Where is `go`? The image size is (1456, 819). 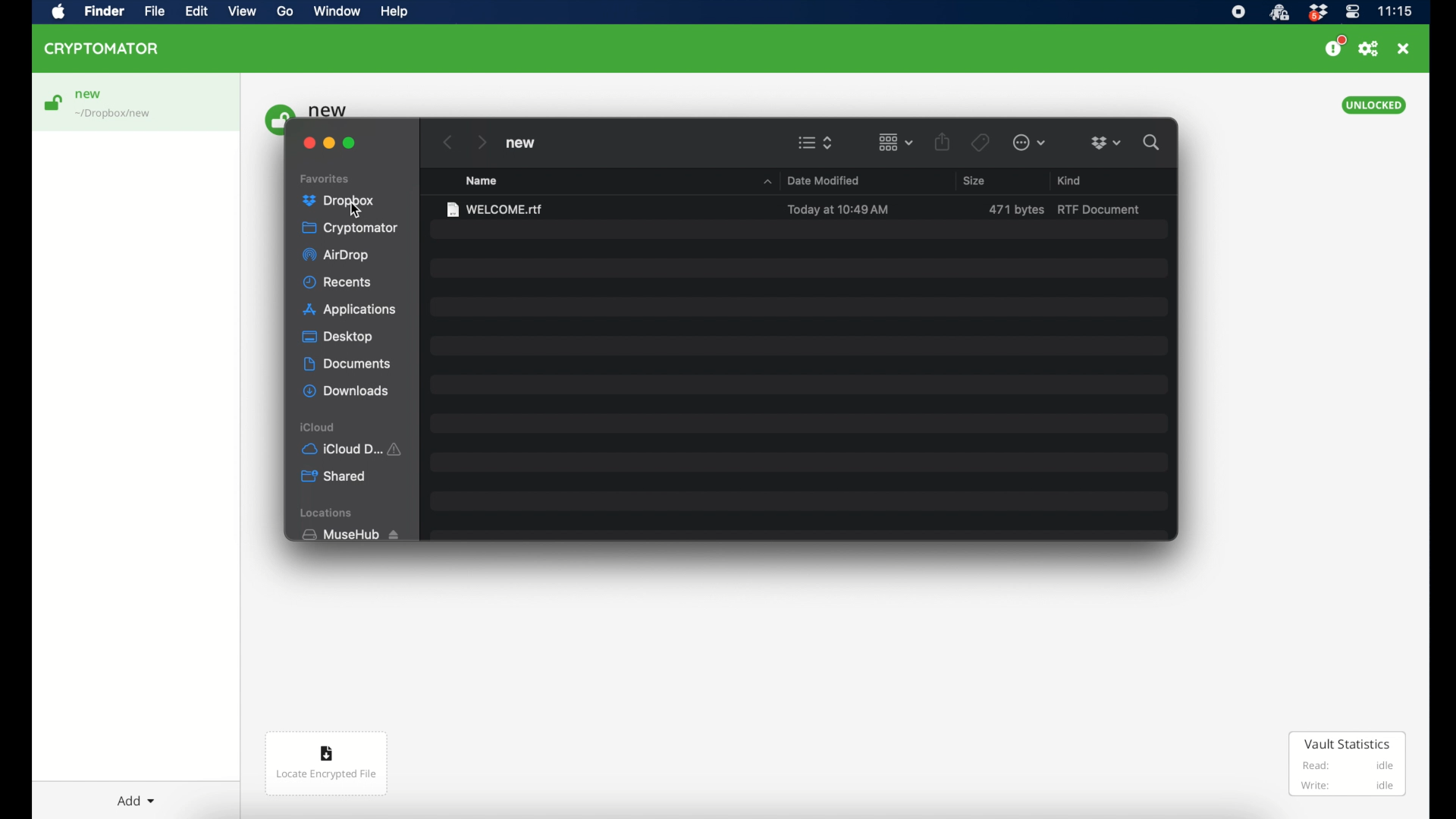
go is located at coordinates (286, 11).